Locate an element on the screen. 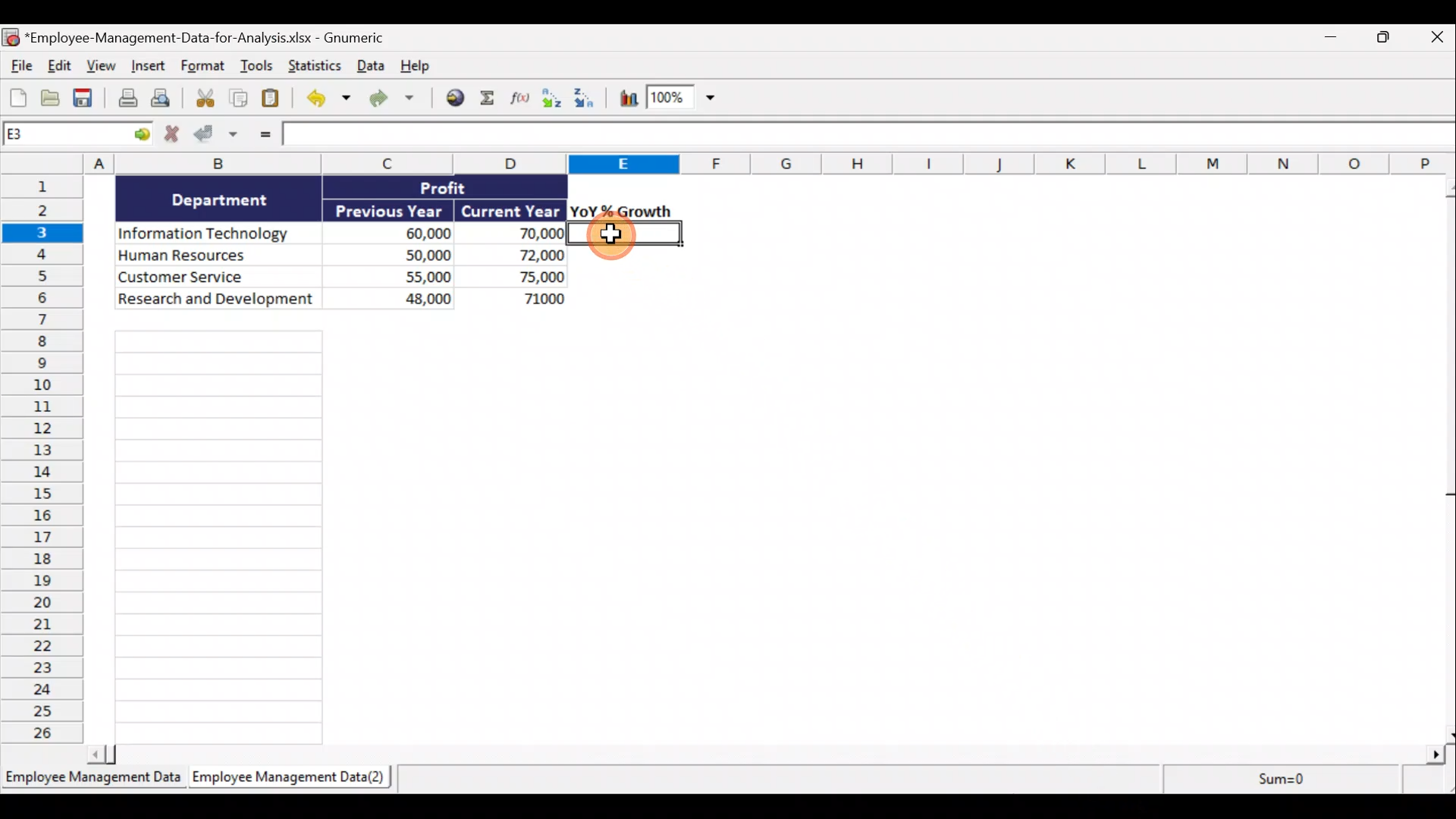 The image size is (1456, 819). Sheet 1 is located at coordinates (91, 778).